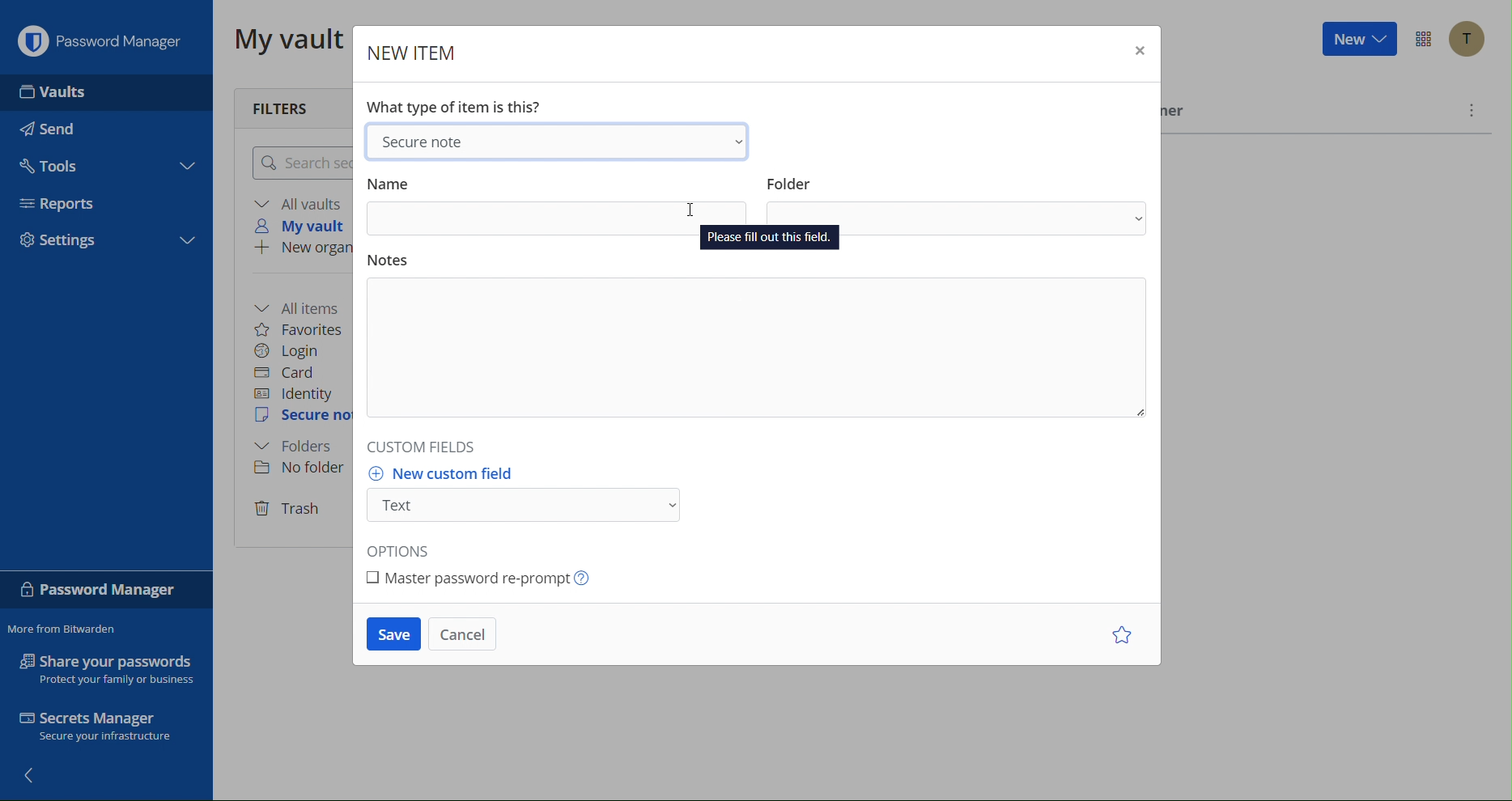  I want to click on Folder, so click(300, 447).